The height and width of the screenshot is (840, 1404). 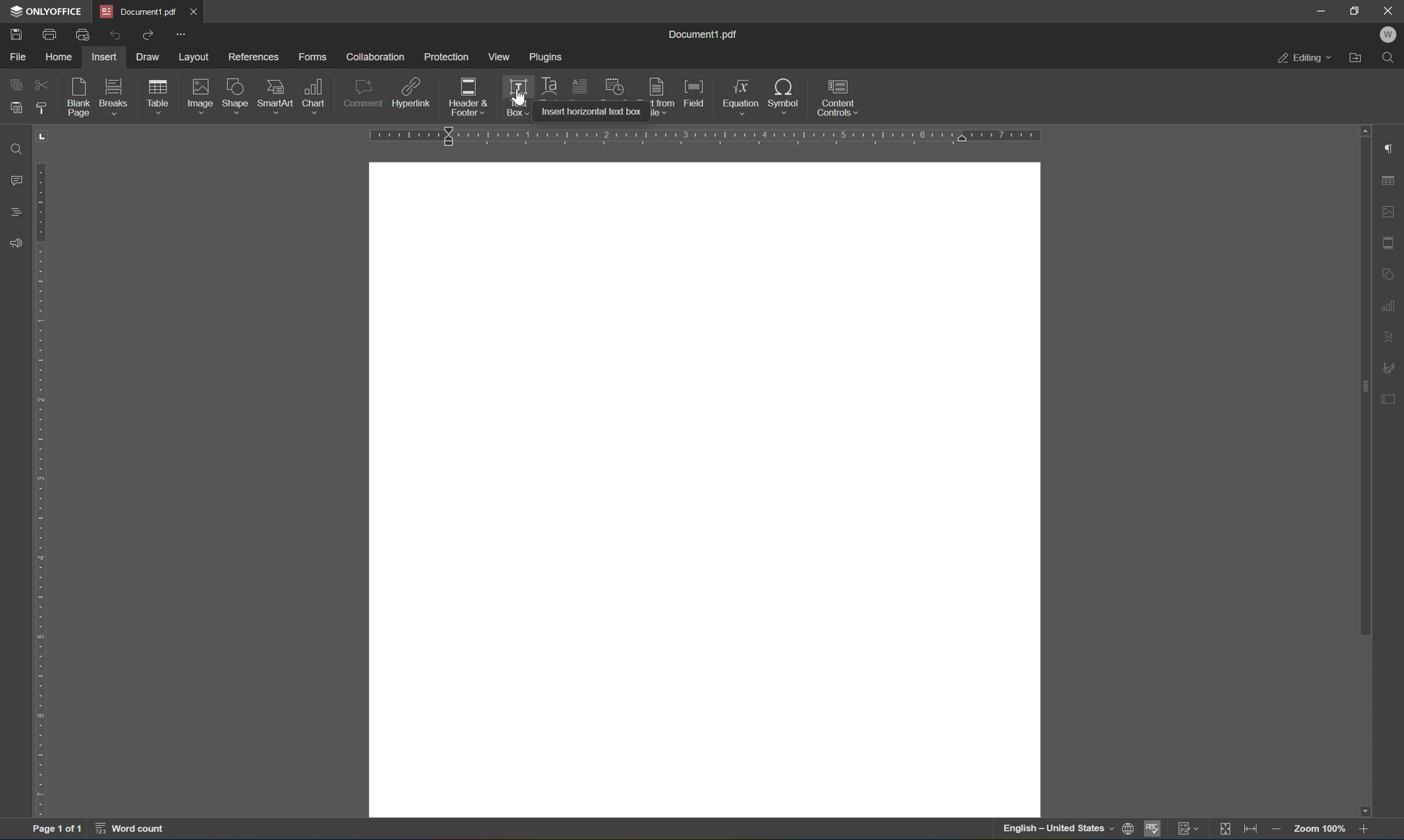 I want to click on fit to width , so click(x=1251, y=831).